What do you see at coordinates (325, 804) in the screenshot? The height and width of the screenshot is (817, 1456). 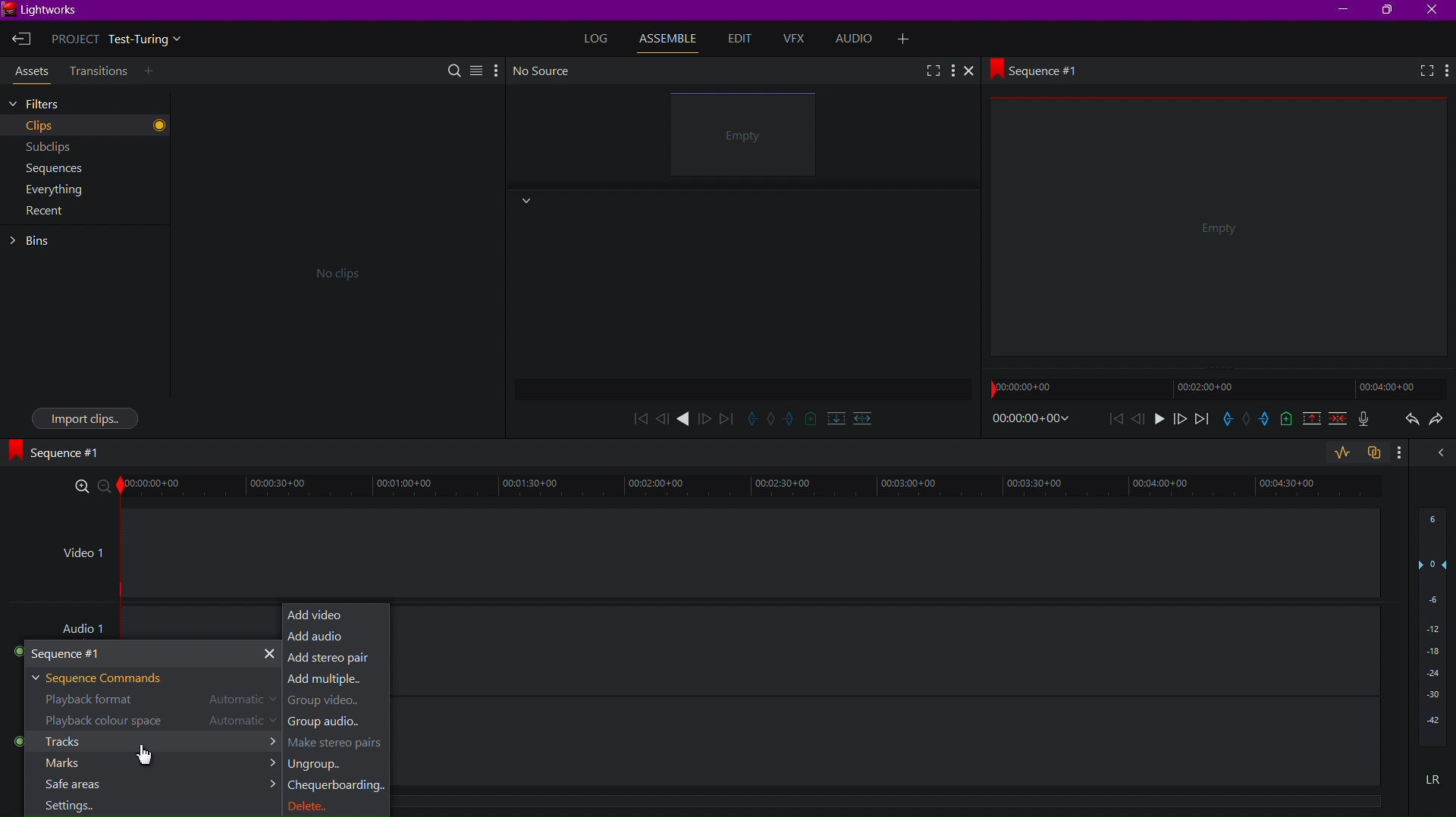 I see `Delete` at bounding box center [325, 804].